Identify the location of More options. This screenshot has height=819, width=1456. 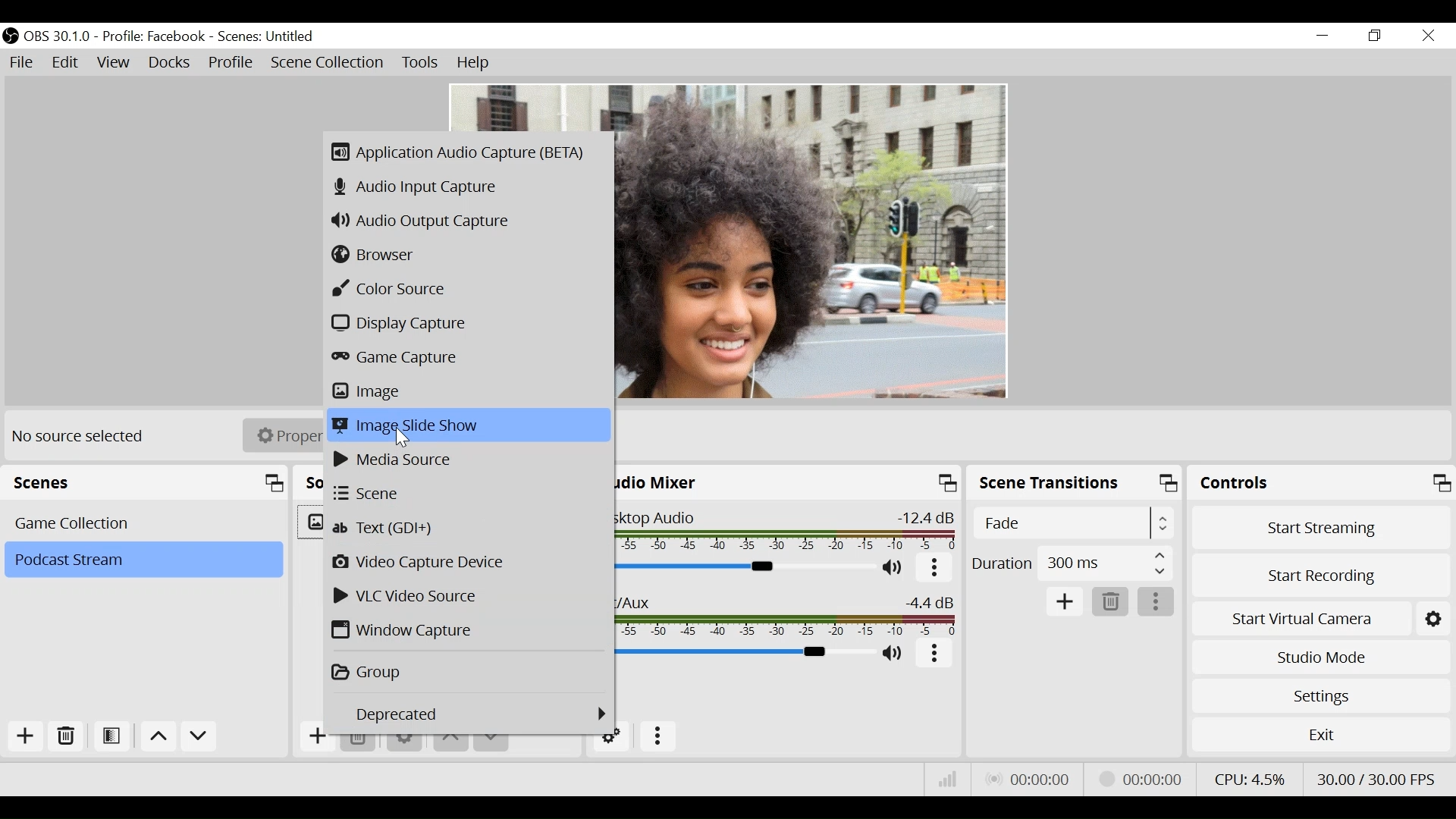
(659, 737).